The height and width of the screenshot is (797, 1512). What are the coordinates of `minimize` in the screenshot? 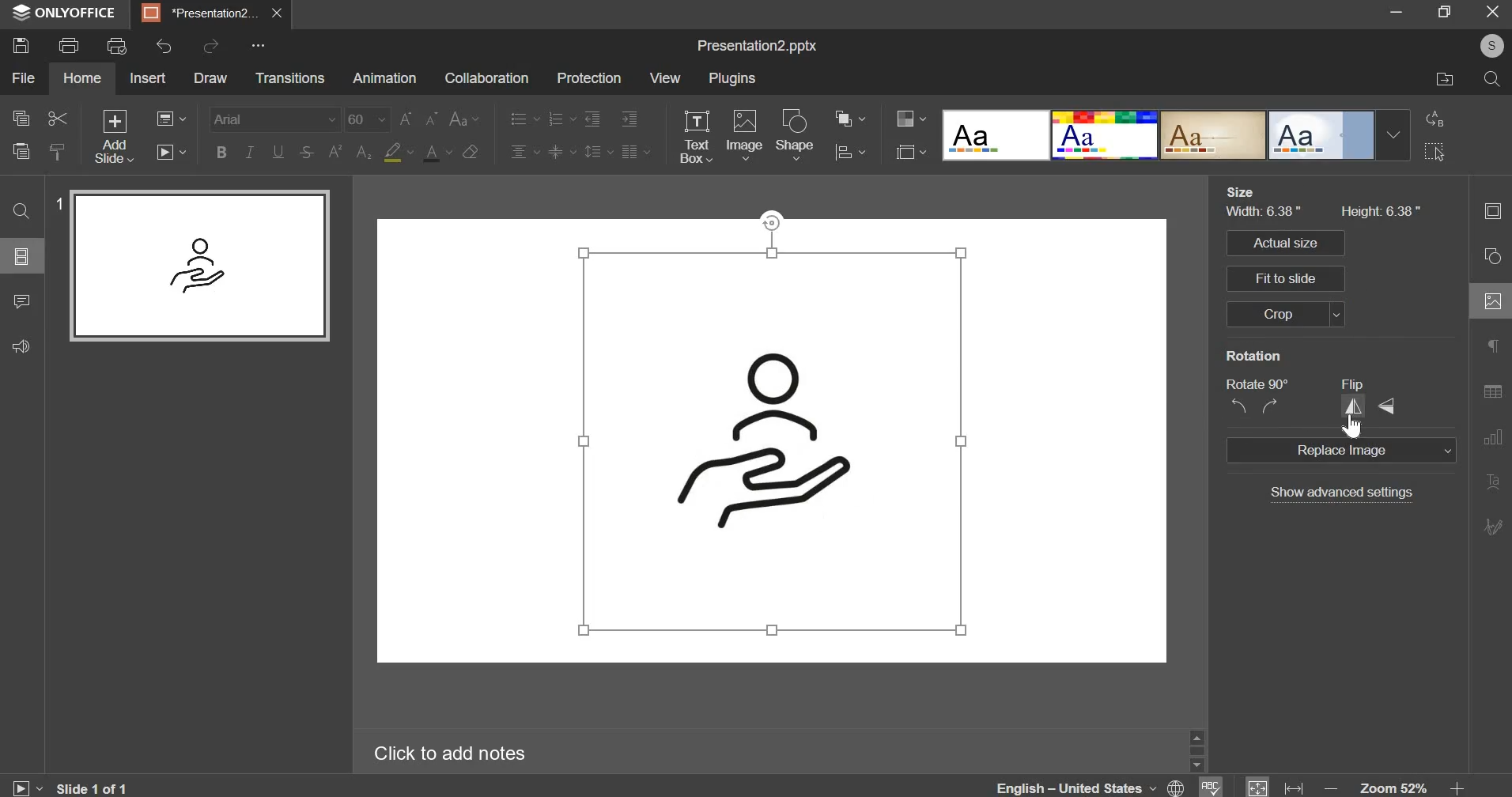 It's located at (1397, 12).